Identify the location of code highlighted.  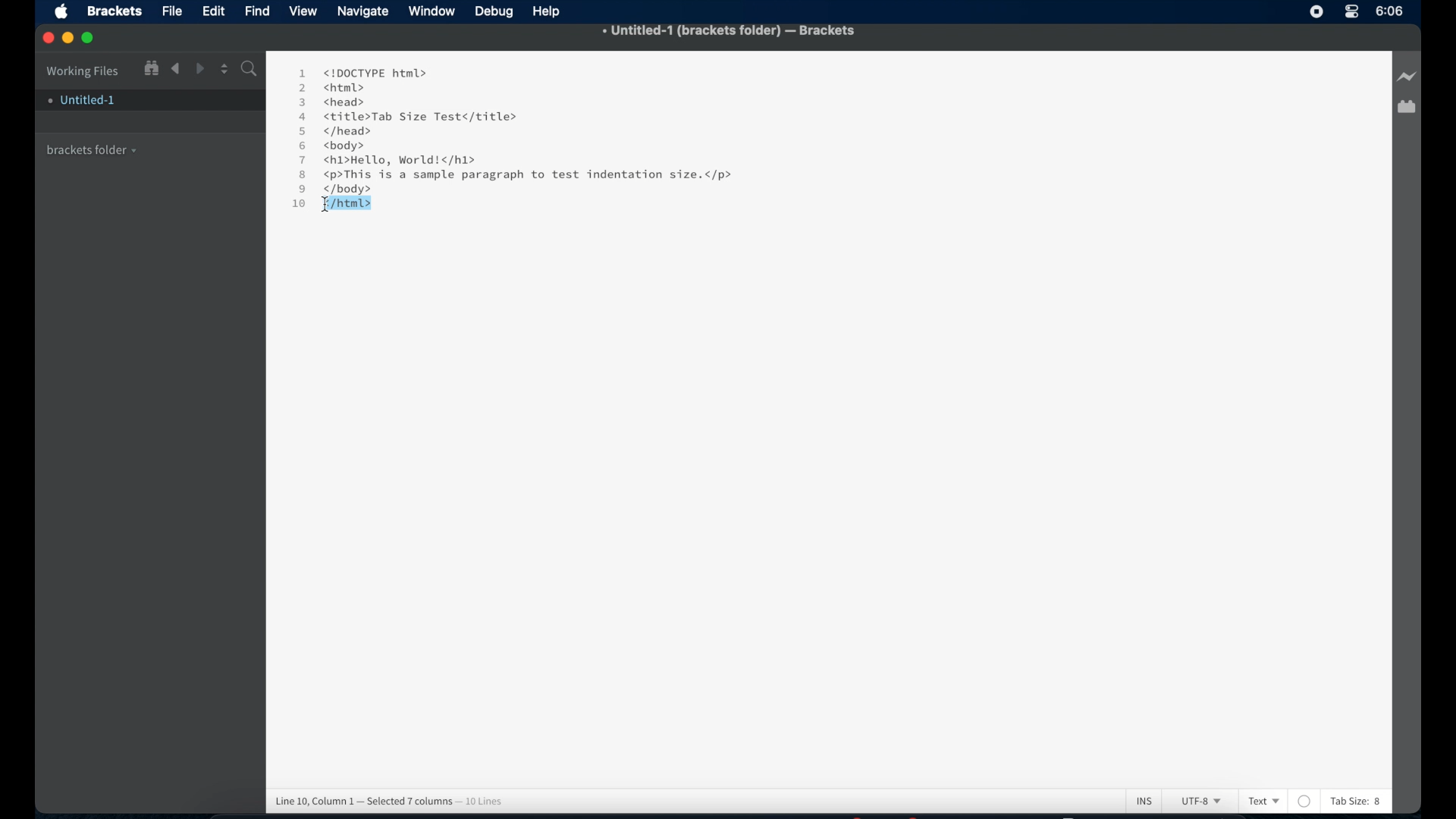
(347, 202).